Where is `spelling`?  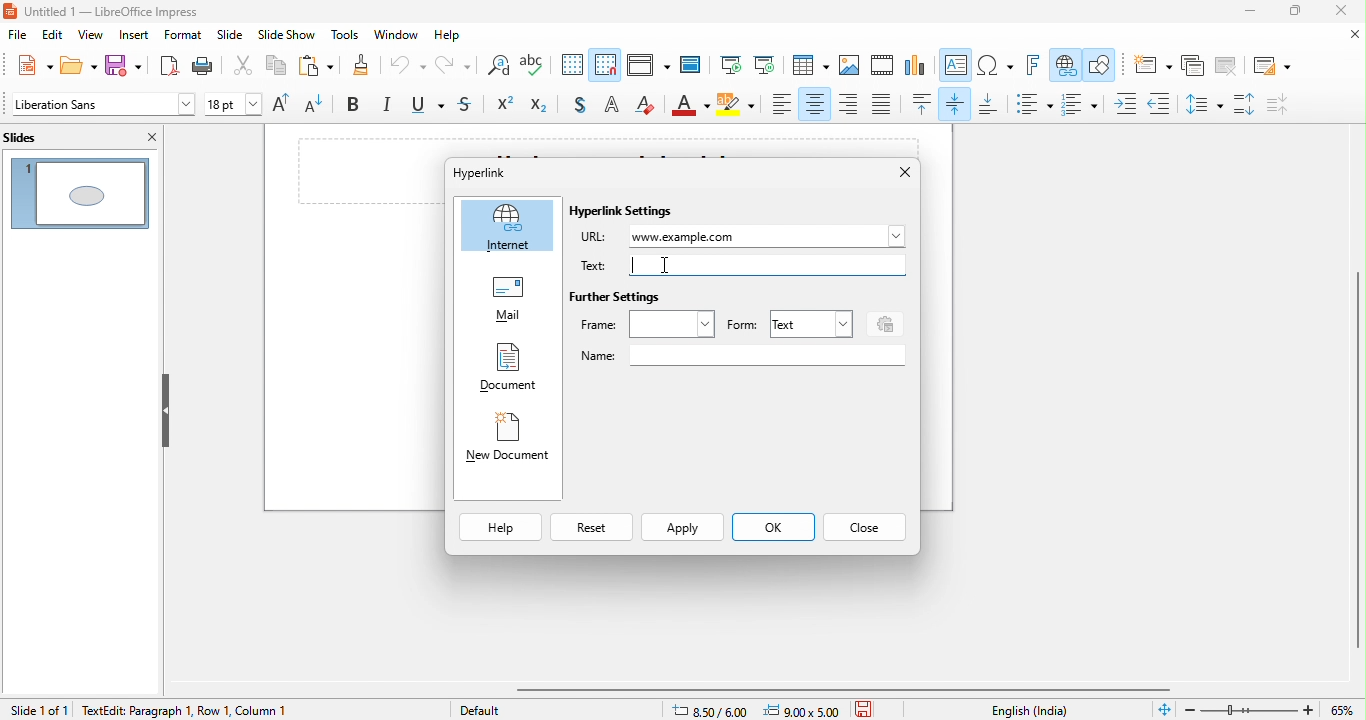 spelling is located at coordinates (538, 67).